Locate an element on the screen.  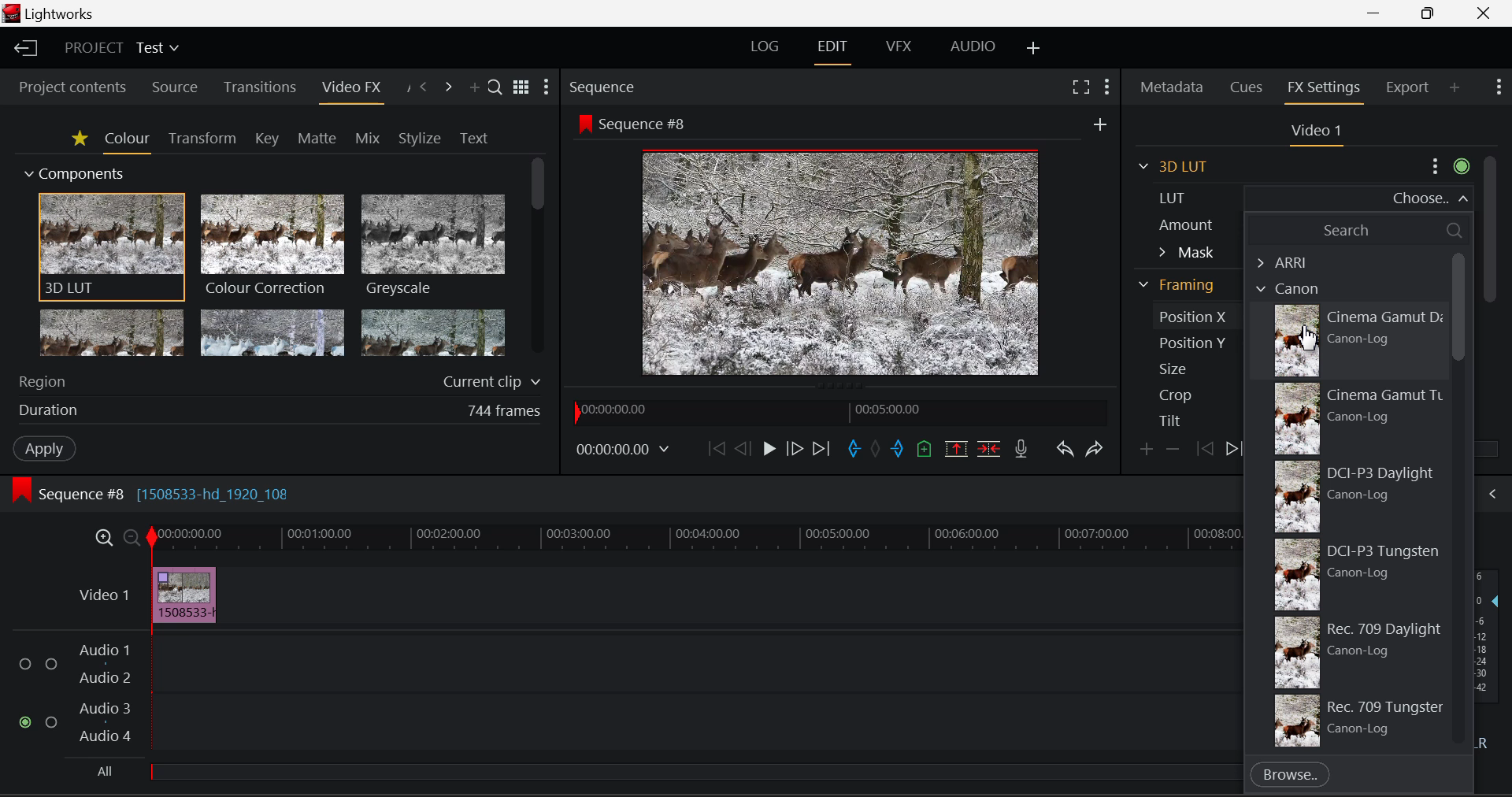
Project Timeline is located at coordinates (695, 541).